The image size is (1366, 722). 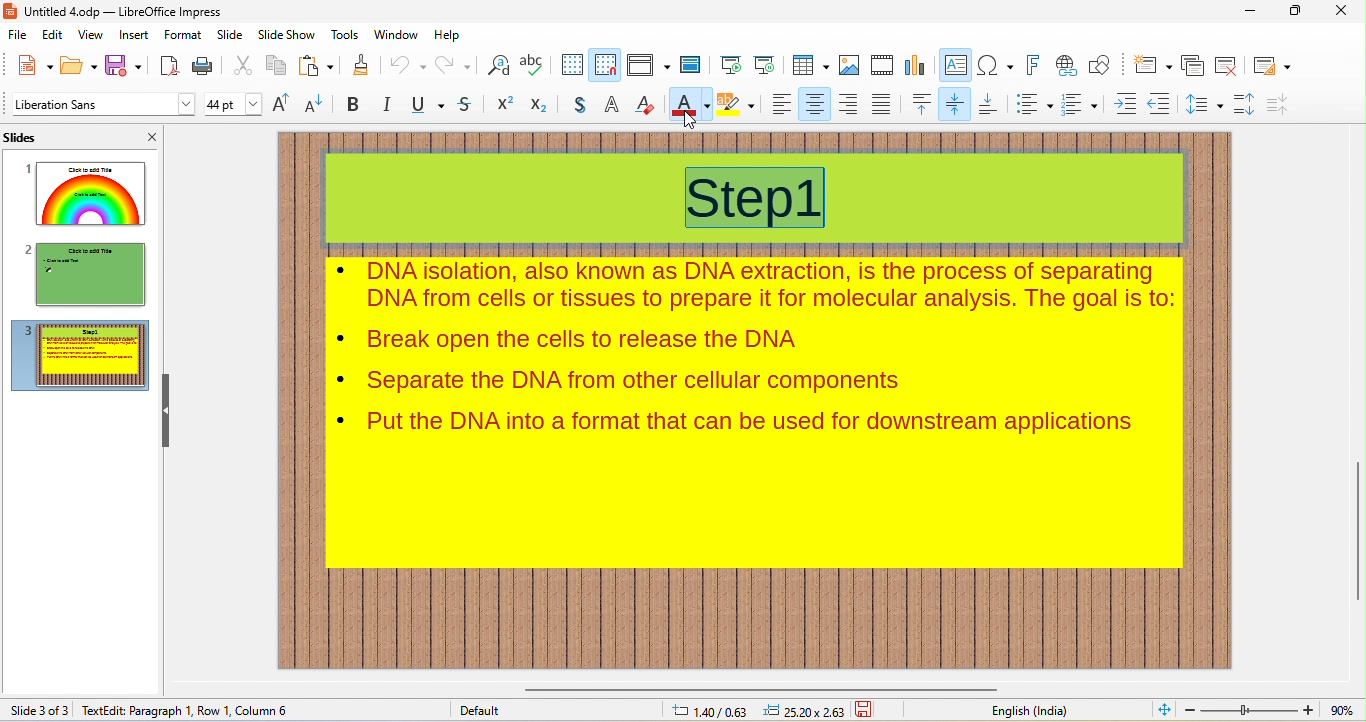 What do you see at coordinates (646, 107) in the screenshot?
I see `clear direct formatting` at bounding box center [646, 107].